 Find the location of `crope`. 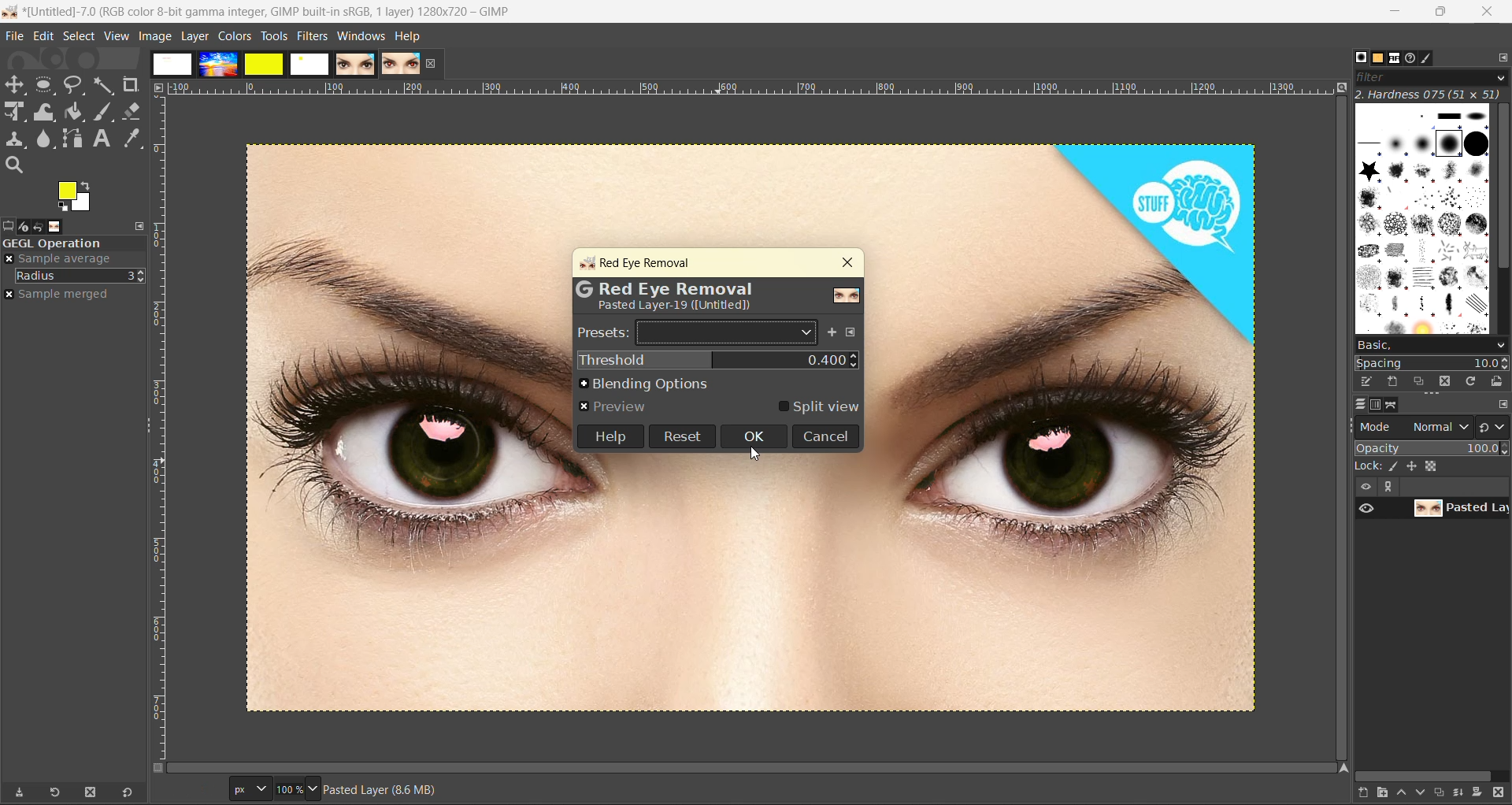

crope is located at coordinates (129, 84).